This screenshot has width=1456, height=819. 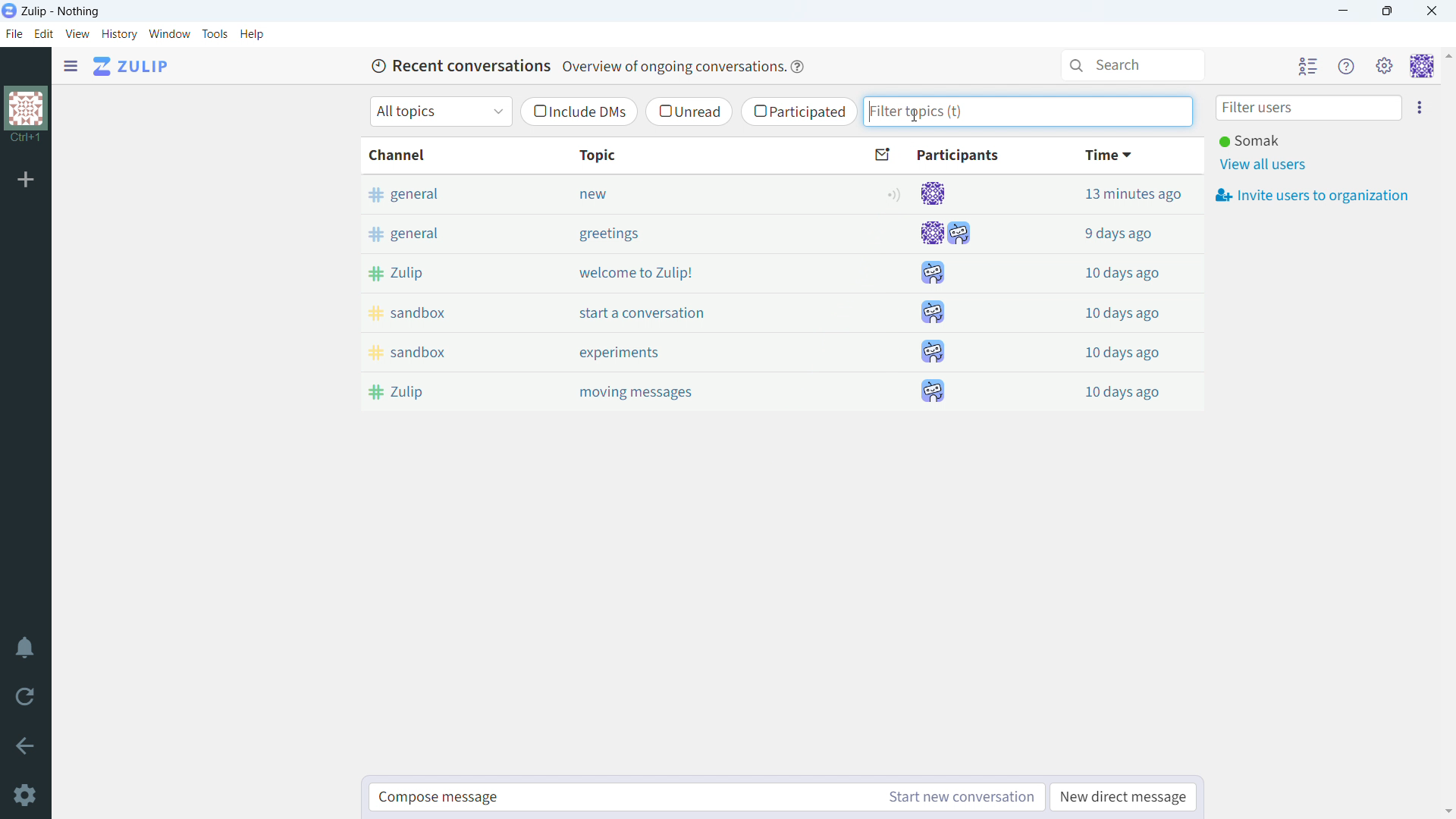 What do you see at coordinates (1109, 155) in the screenshot?
I see `time` at bounding box center [1109, 155].